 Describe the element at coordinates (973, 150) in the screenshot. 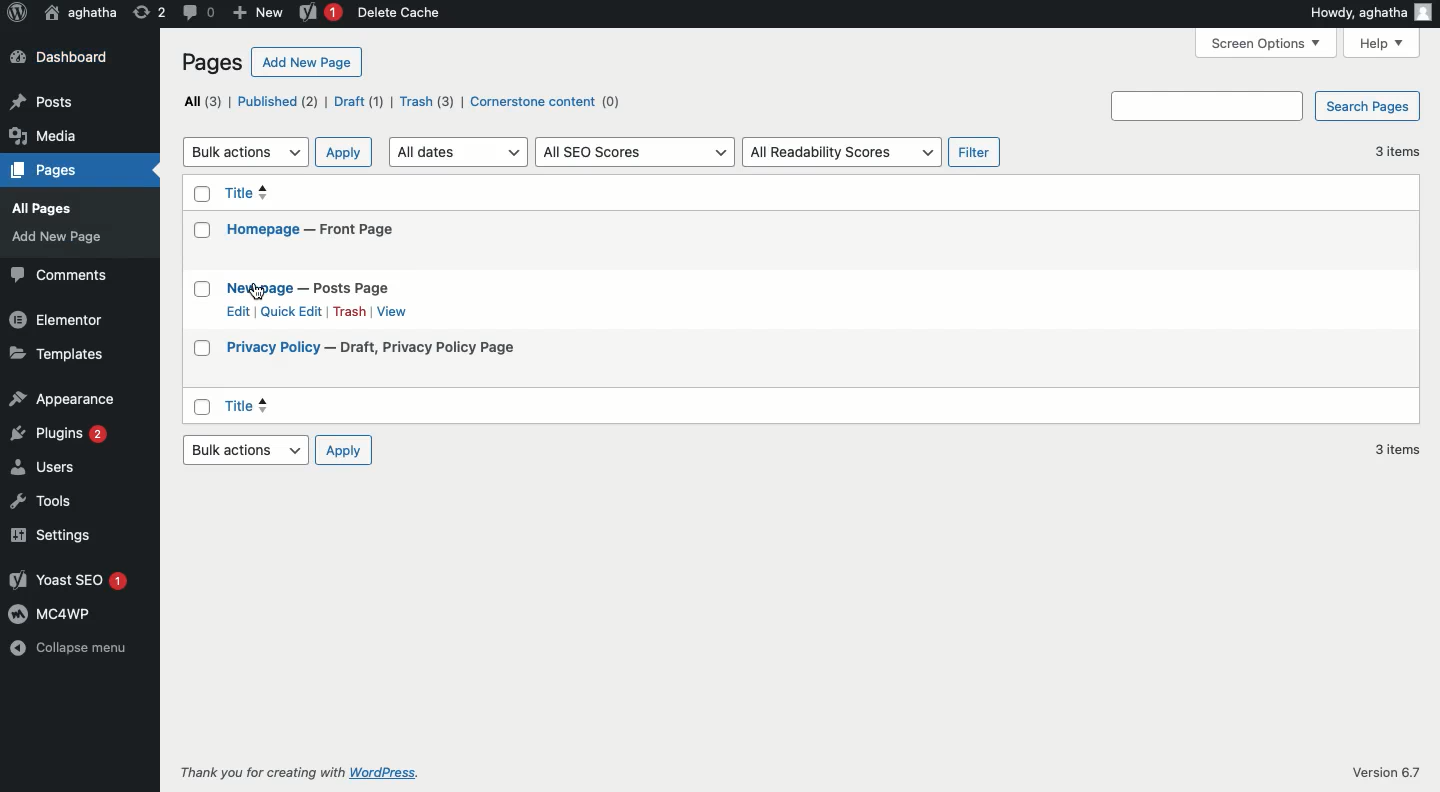

I see `Filter` at that location.